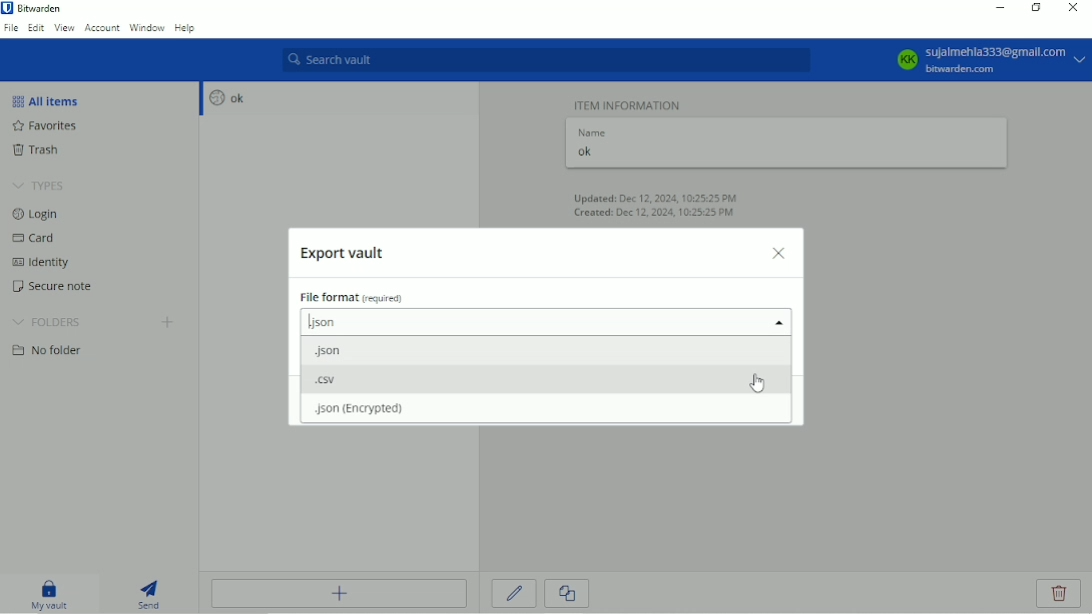 This screenshot has height=614, width=1092. I want to click on No folder, so click(52, 352).